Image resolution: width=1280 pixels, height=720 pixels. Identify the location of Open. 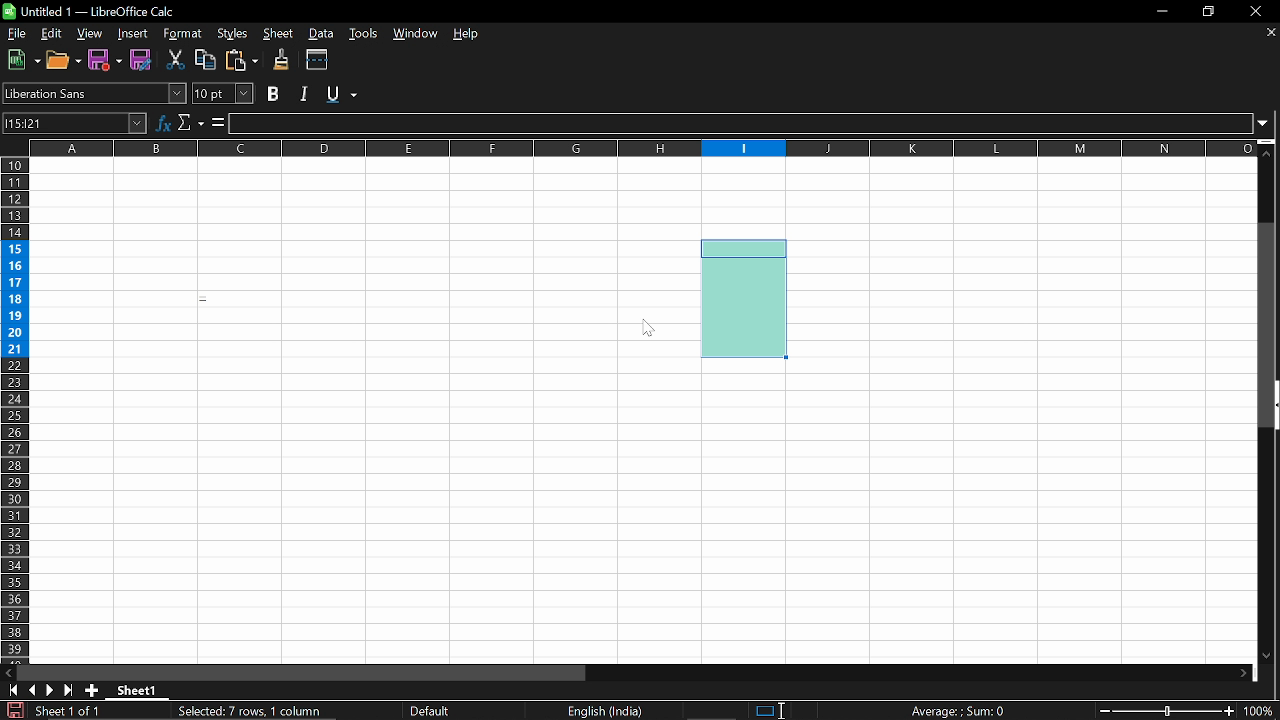
(63, 60).